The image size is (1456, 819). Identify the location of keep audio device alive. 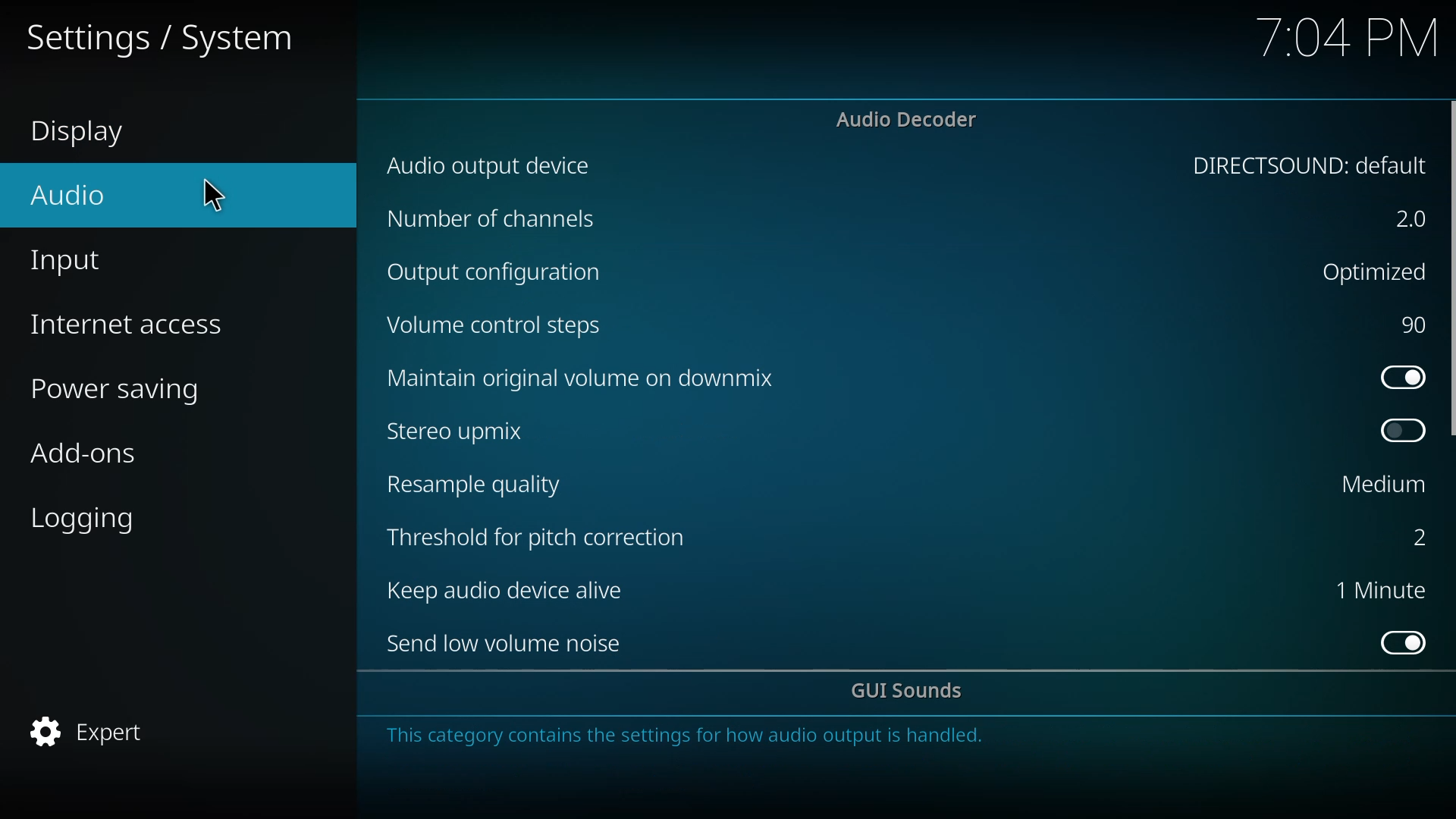
(515, 591).